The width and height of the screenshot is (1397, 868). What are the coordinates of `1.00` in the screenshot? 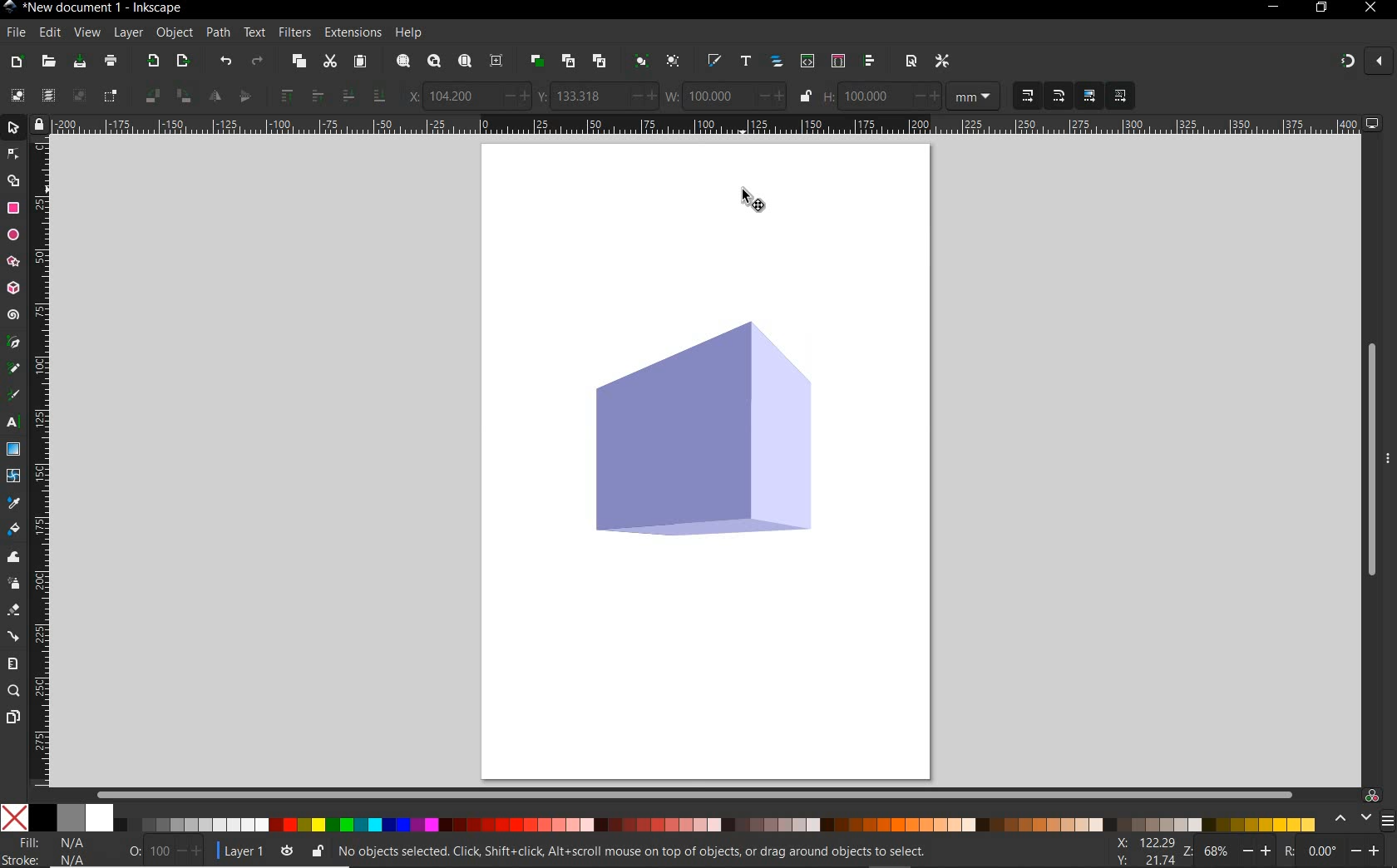 It's located at (111, 858).